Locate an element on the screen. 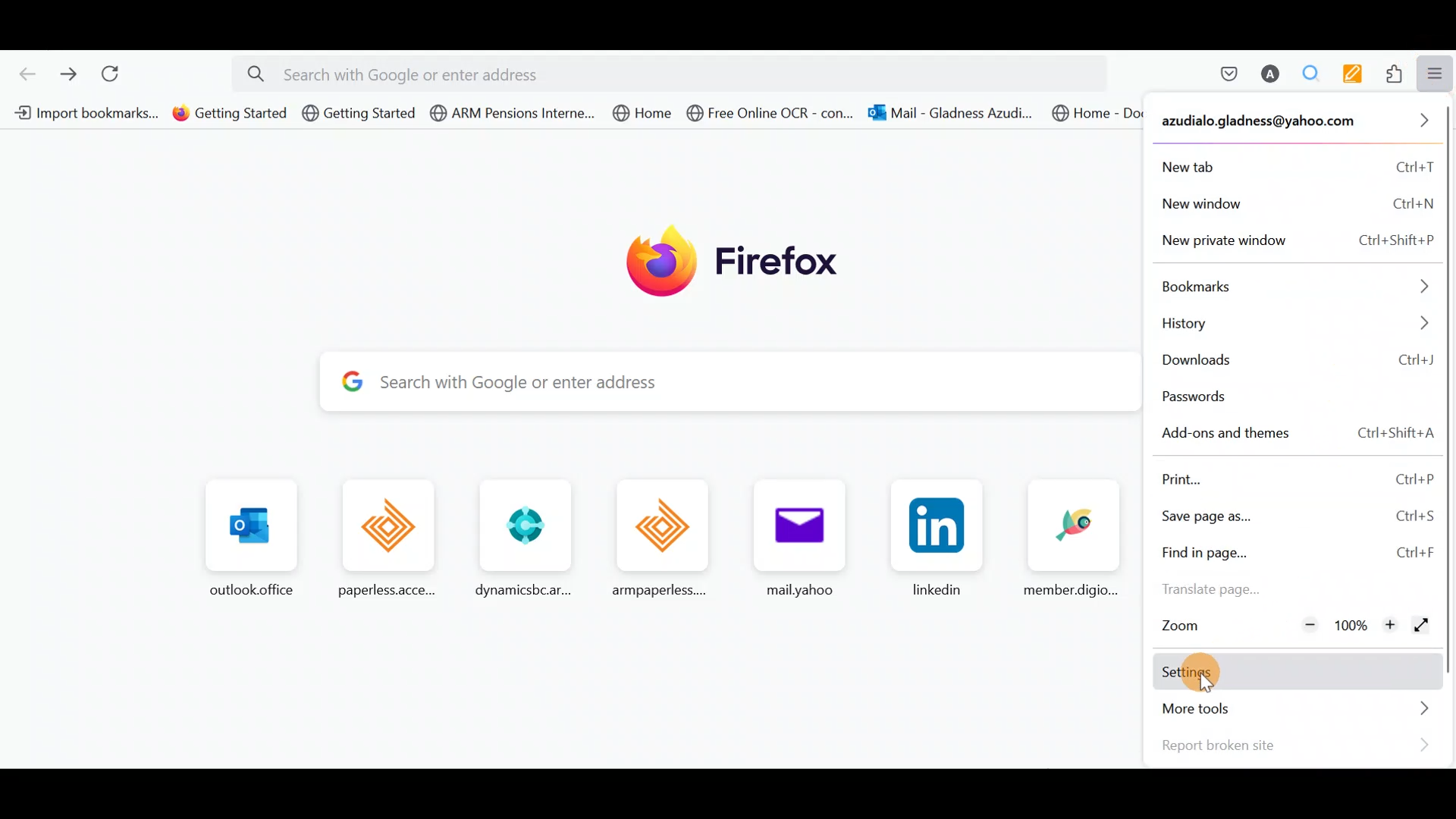  Print is located at coordinates (1294, 476).